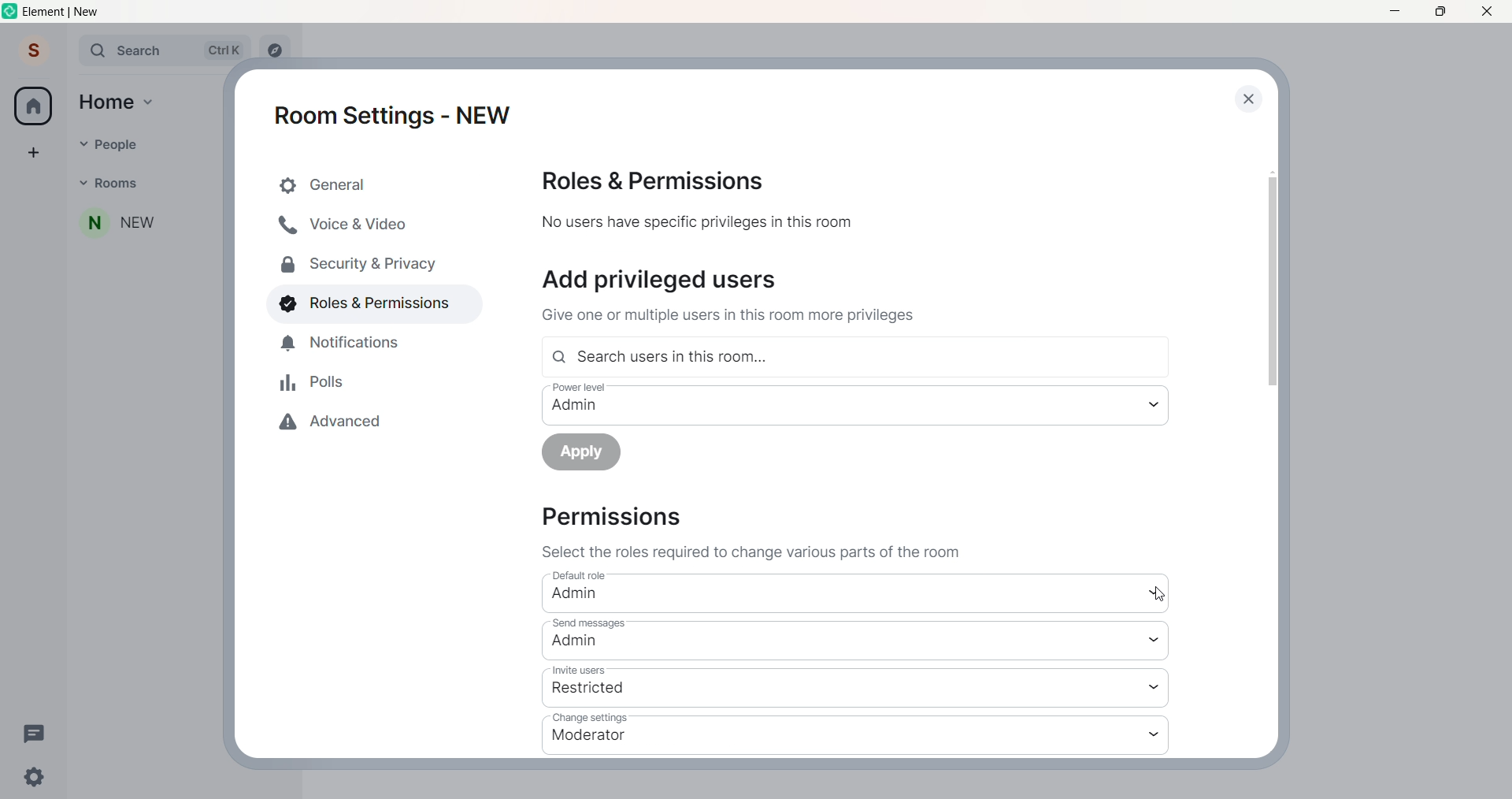 This screenshot has height=799, width=1512. Describe the element at coordinates (750, 552) in the screenshot. I see `instruction` at that location.